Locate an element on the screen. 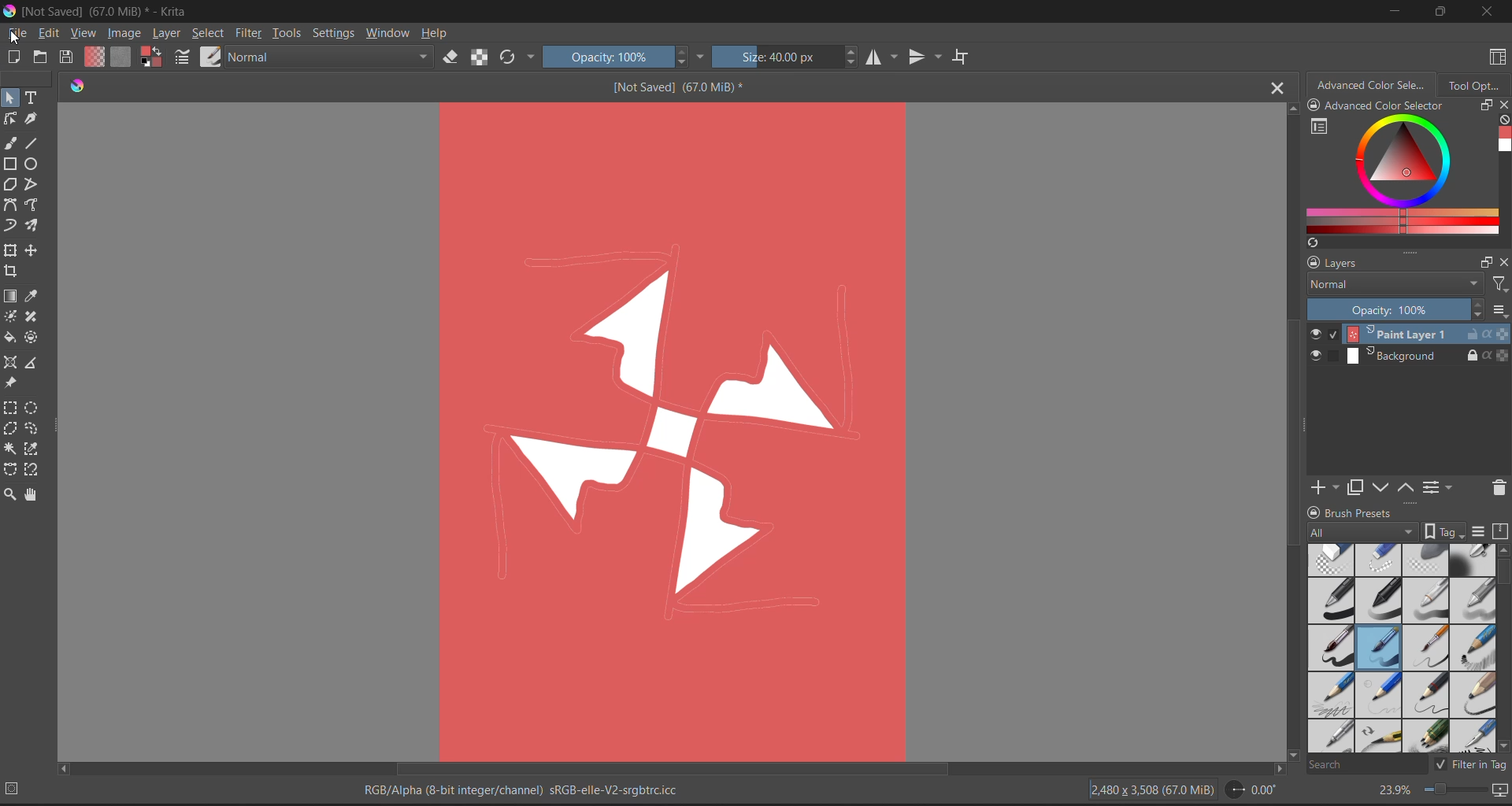 This screenshot has height=806, width=1512. choose brush preset is located at coordinates (213, 57).